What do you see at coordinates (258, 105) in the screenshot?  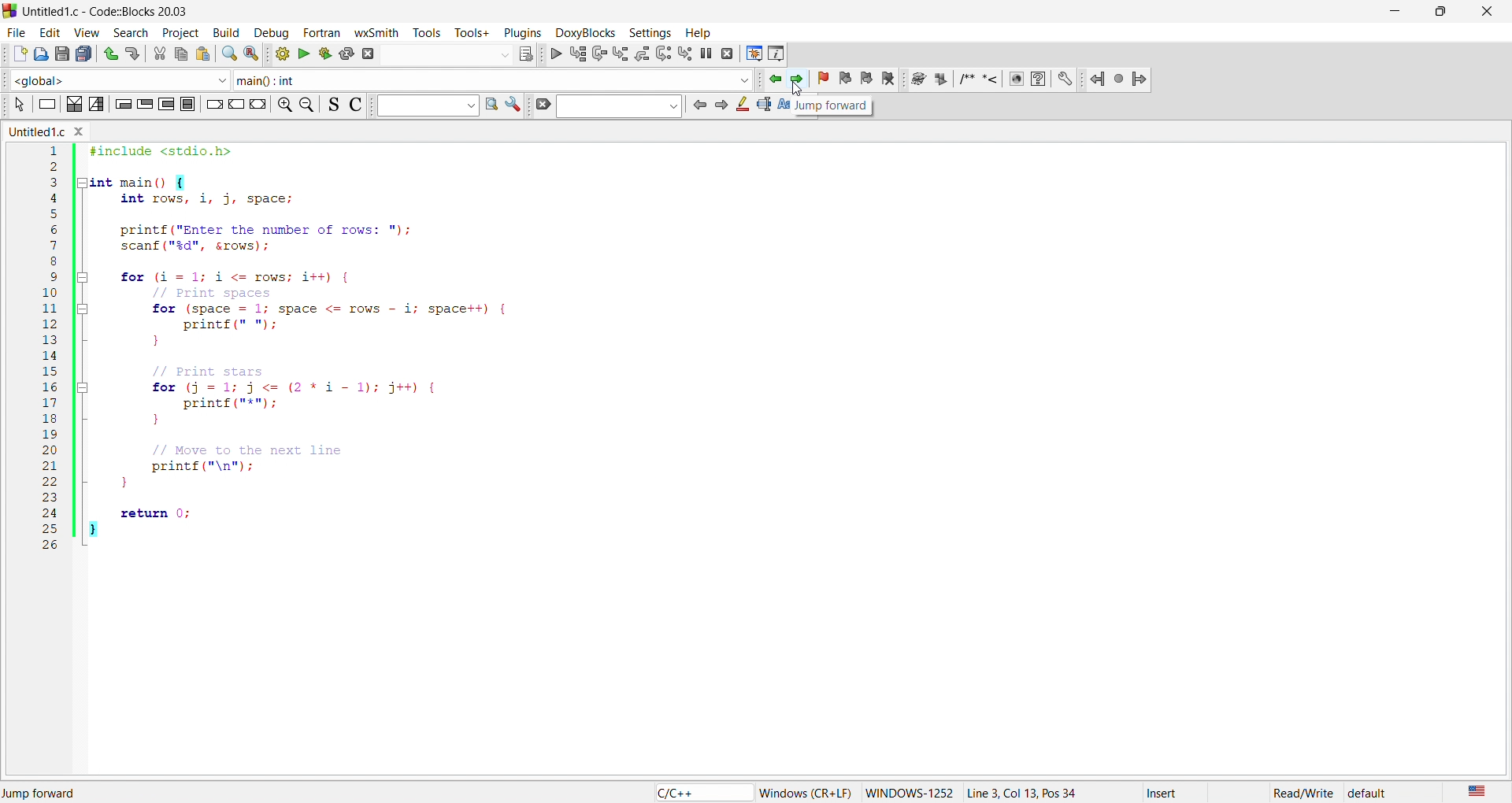 I see `icon` at bounding box center [258, 105].